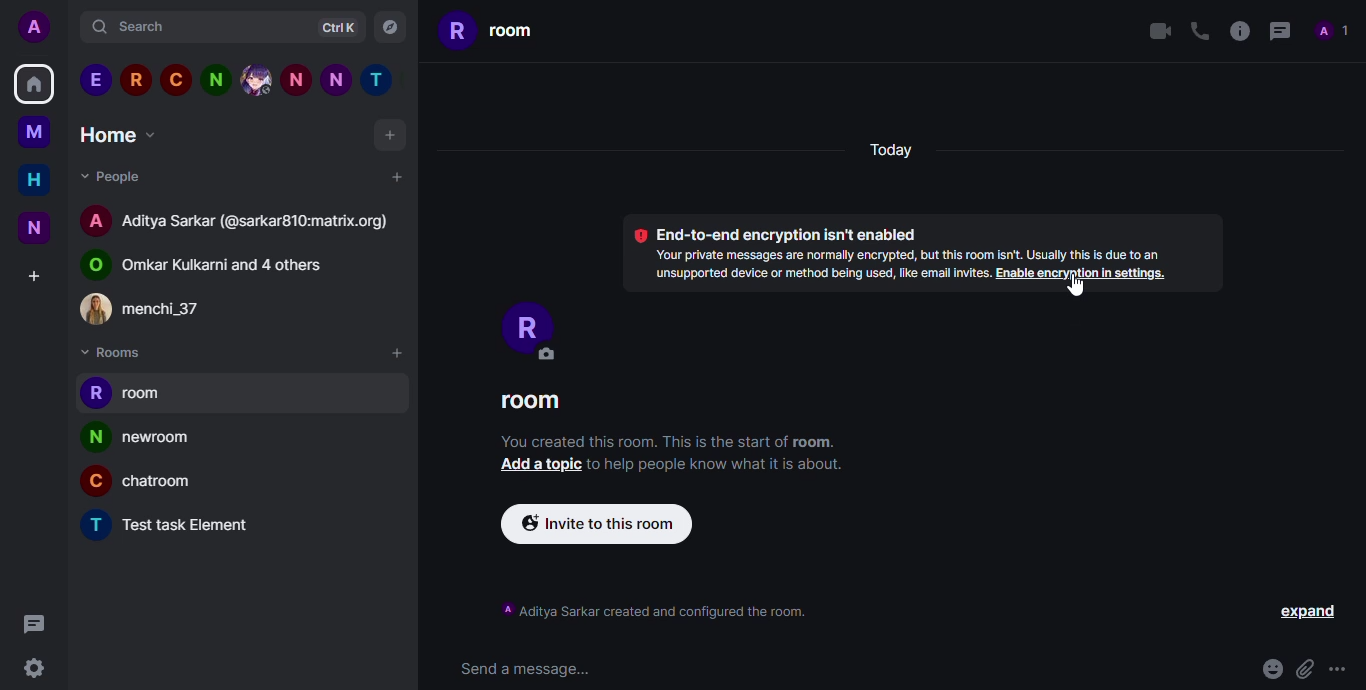  What do you see at coordinates (154, 310) in the screenshot?
I see `account` at bounding box center [154, 310].